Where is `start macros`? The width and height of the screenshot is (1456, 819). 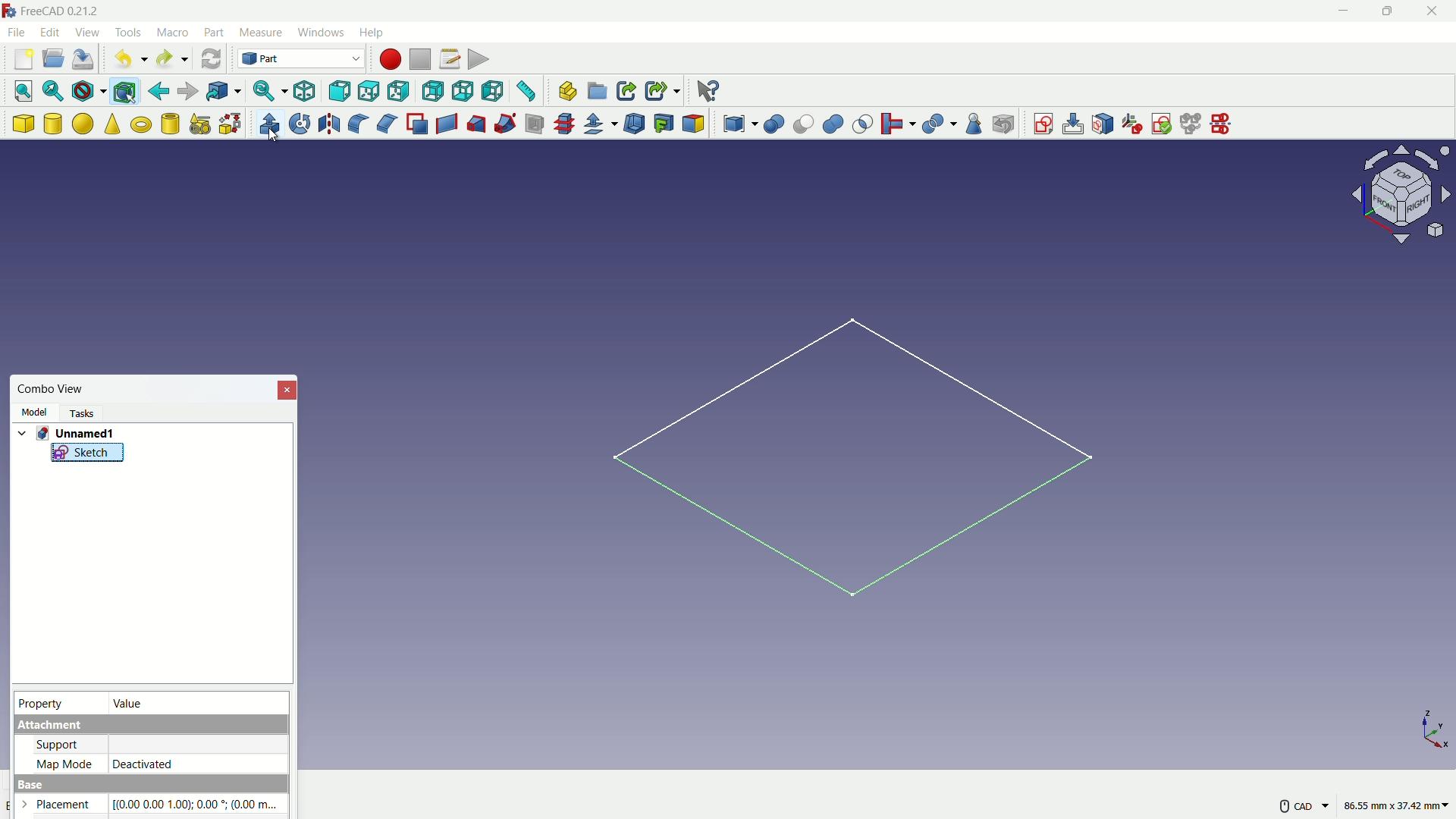 start macros is located at coordinates (391, 59).